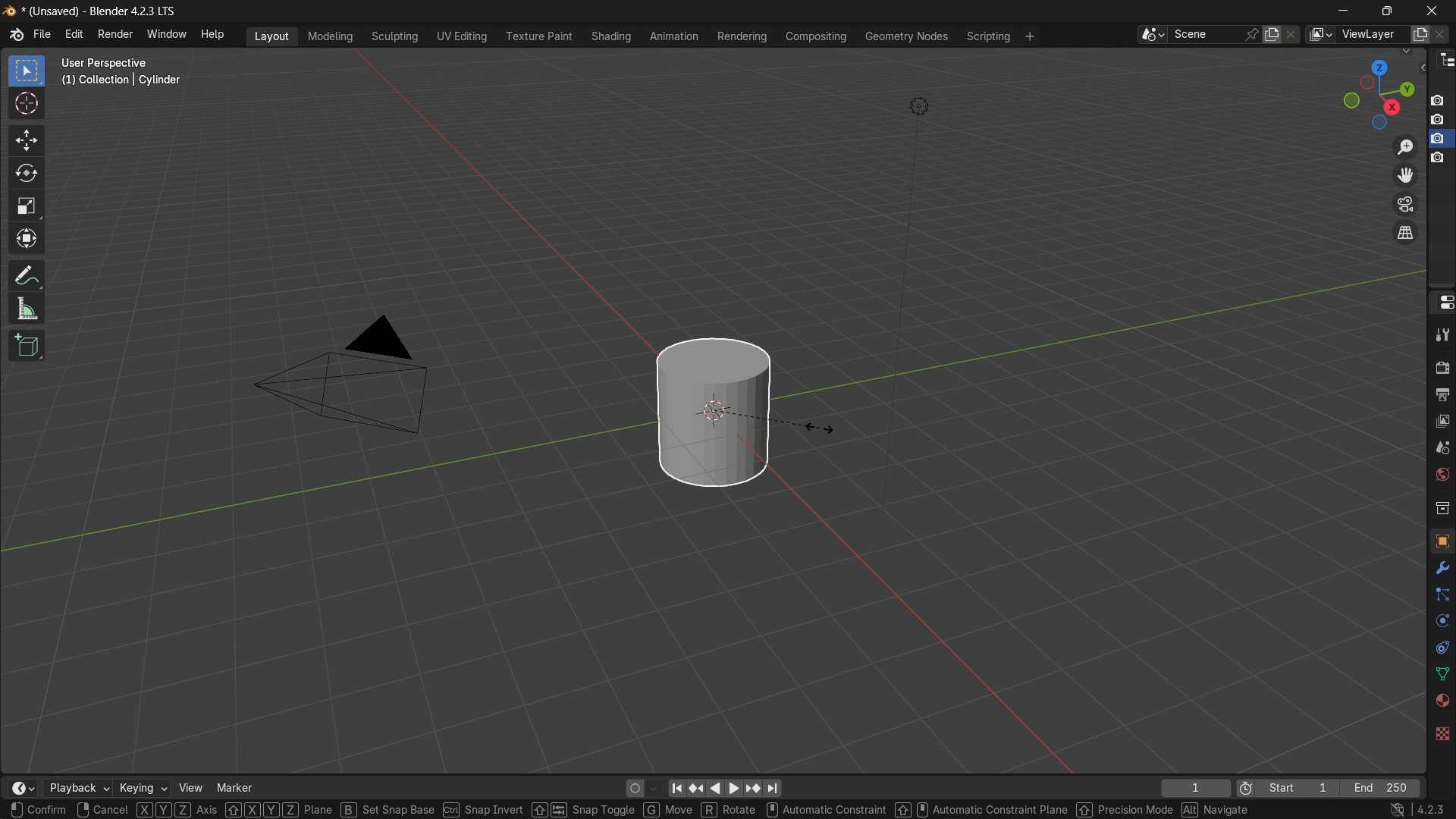 This screenshot has width=1456, height=819. Describe the element at coordinates (1435, 10) in the screenshot. I see `close app` at that location.